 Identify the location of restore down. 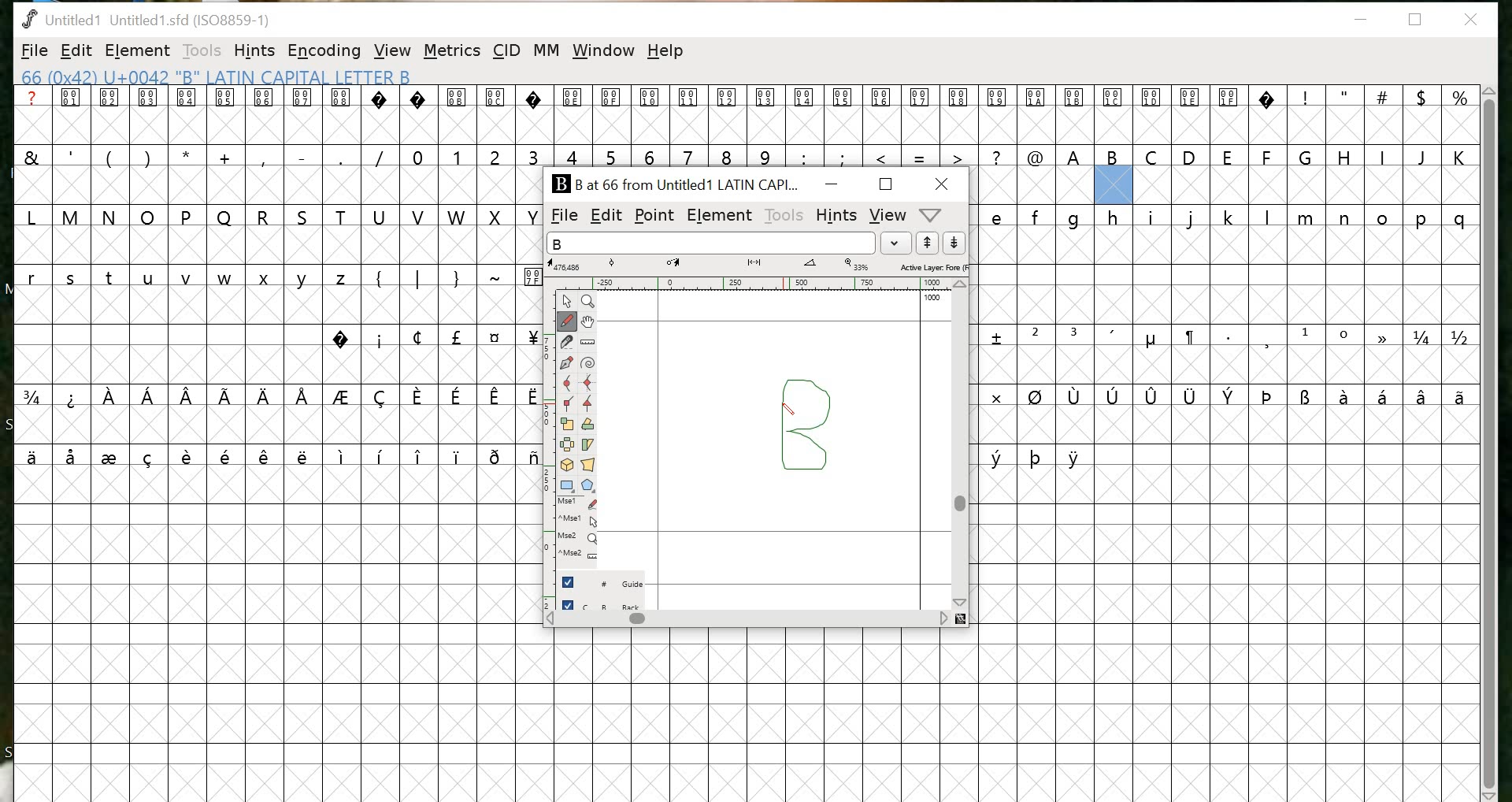
(1416, 20).